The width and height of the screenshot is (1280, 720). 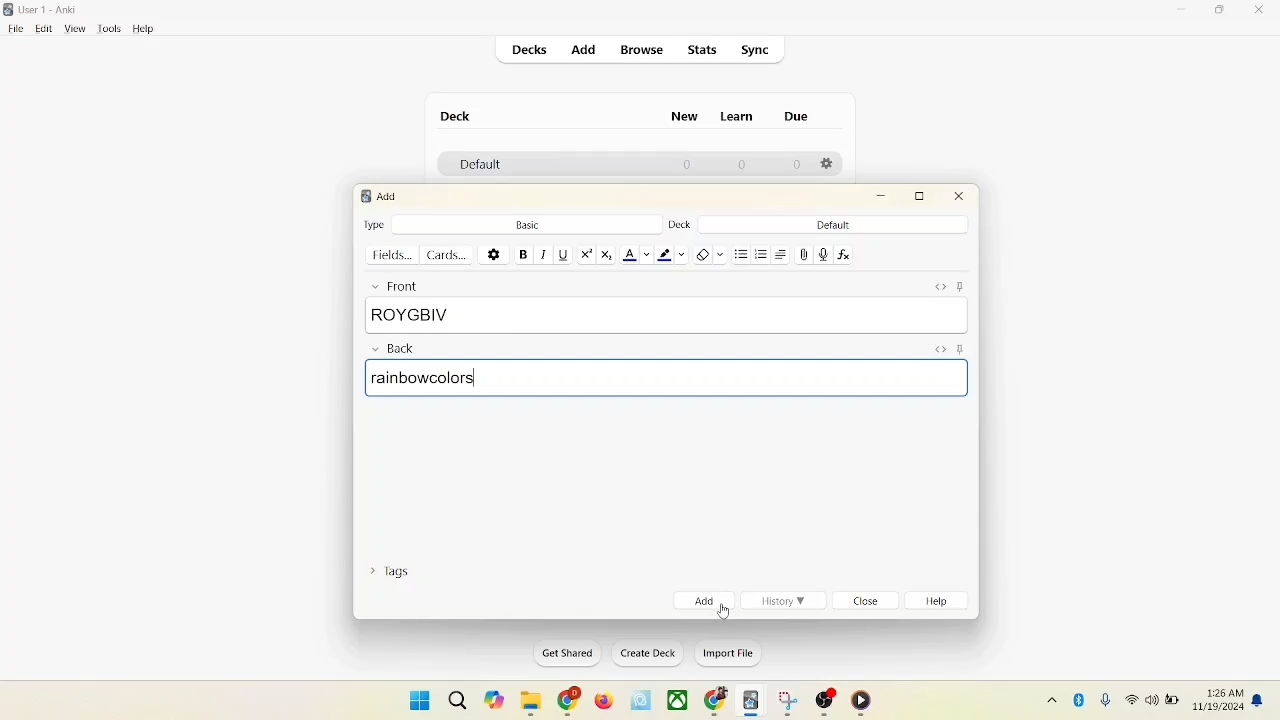 What do you see at coordinates (940, 286) in the screenshot?
I see `HTML editor` at bounding box center [940, 286].